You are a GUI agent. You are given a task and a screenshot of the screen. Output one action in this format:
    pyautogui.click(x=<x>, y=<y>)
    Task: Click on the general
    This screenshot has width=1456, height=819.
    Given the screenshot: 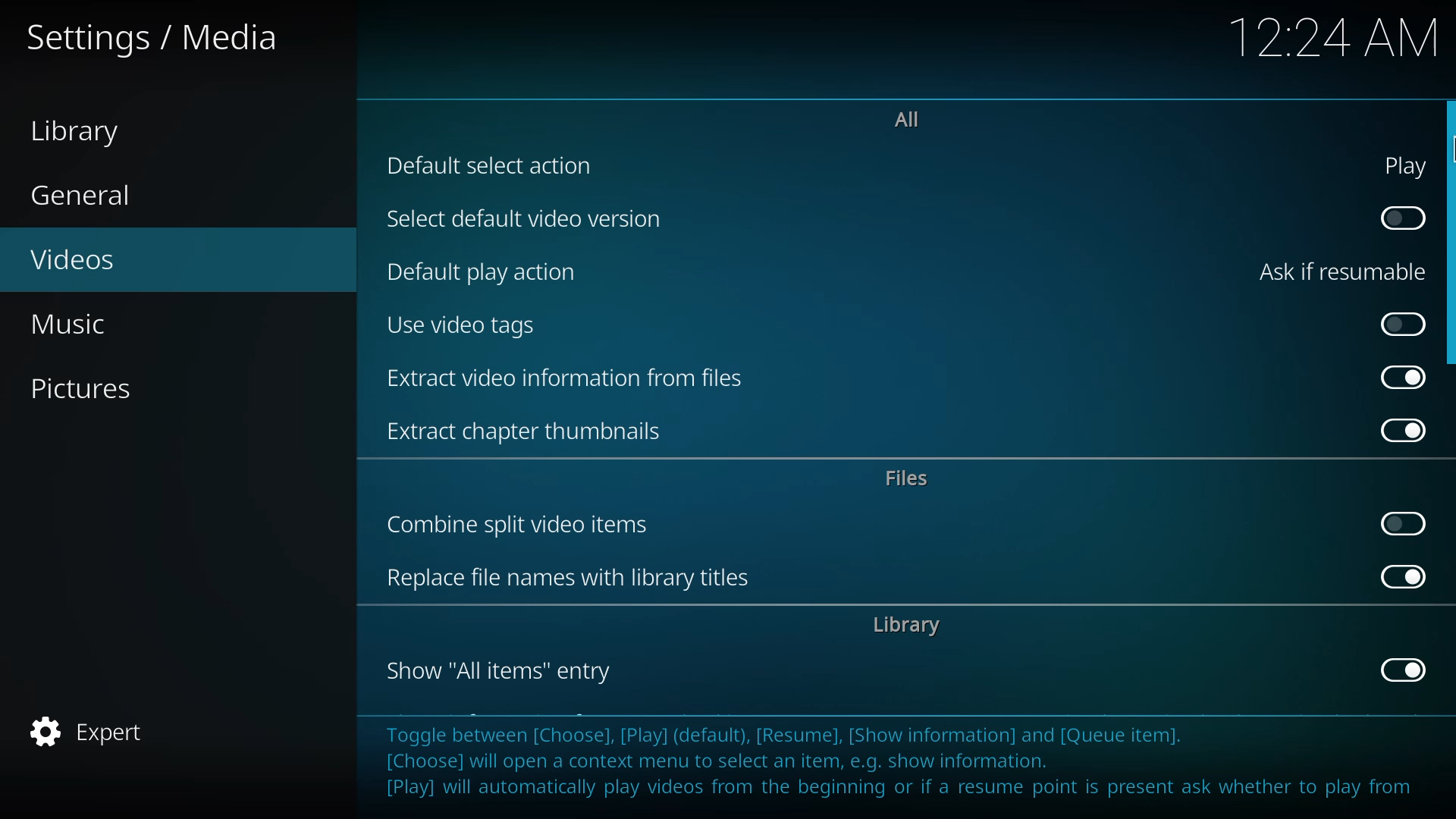 What is the action you would take?
    pyautogui.click(x=88, y=196)
    